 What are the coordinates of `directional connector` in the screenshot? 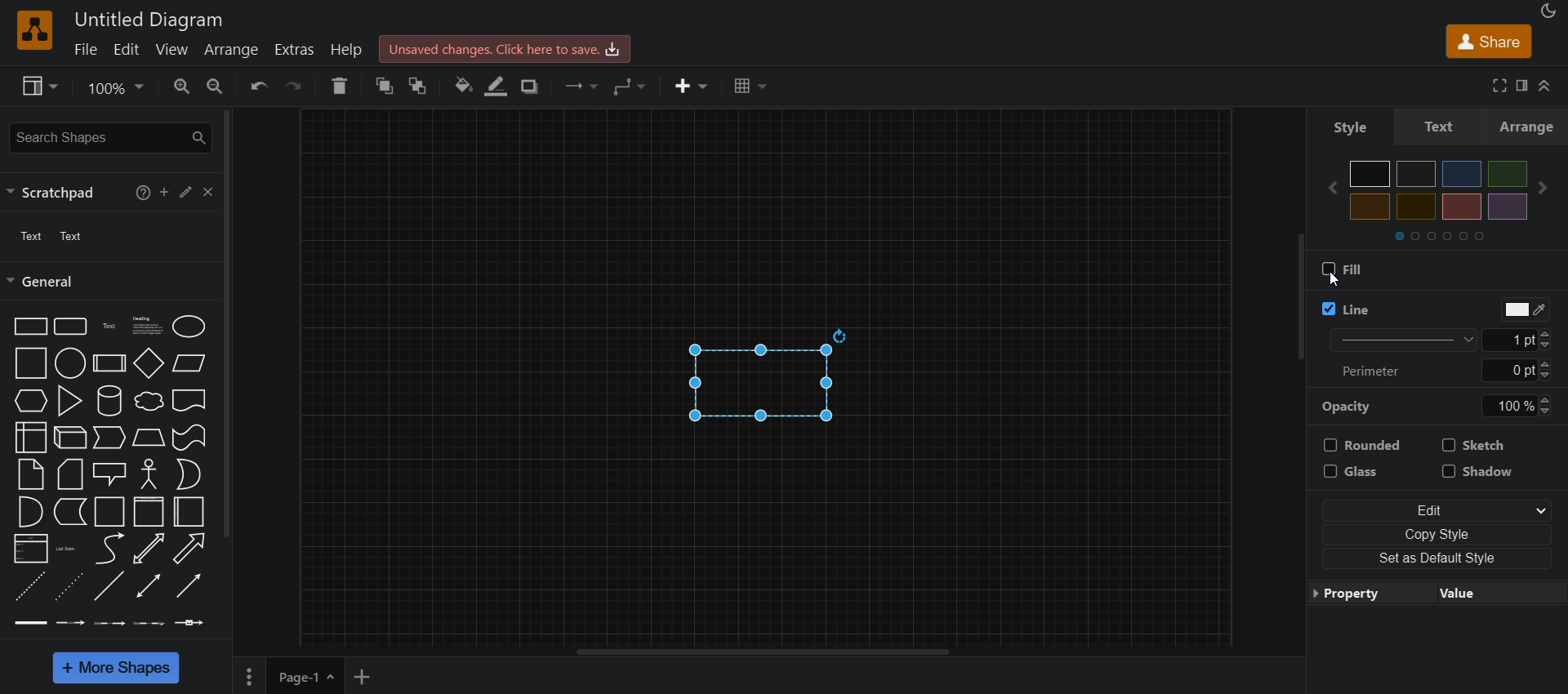 It's located at (187, 586).